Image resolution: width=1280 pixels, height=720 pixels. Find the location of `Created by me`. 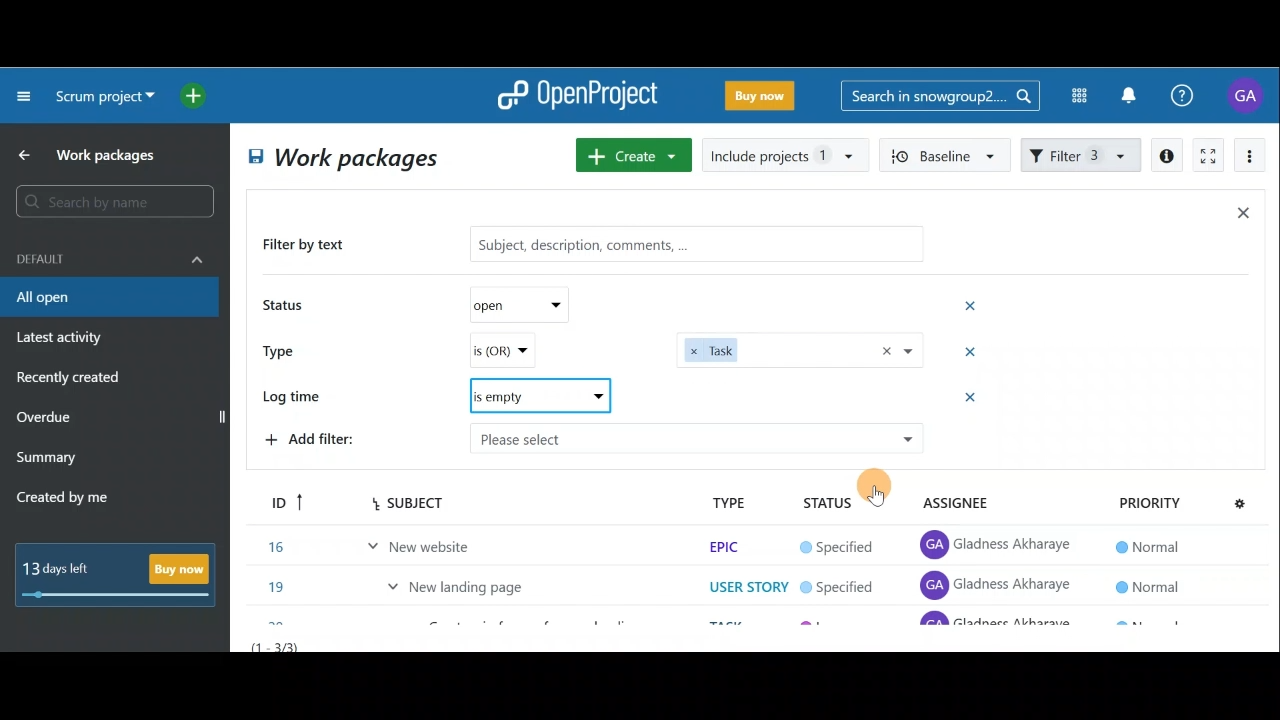

Created by me is located at coordinates (74, 500).